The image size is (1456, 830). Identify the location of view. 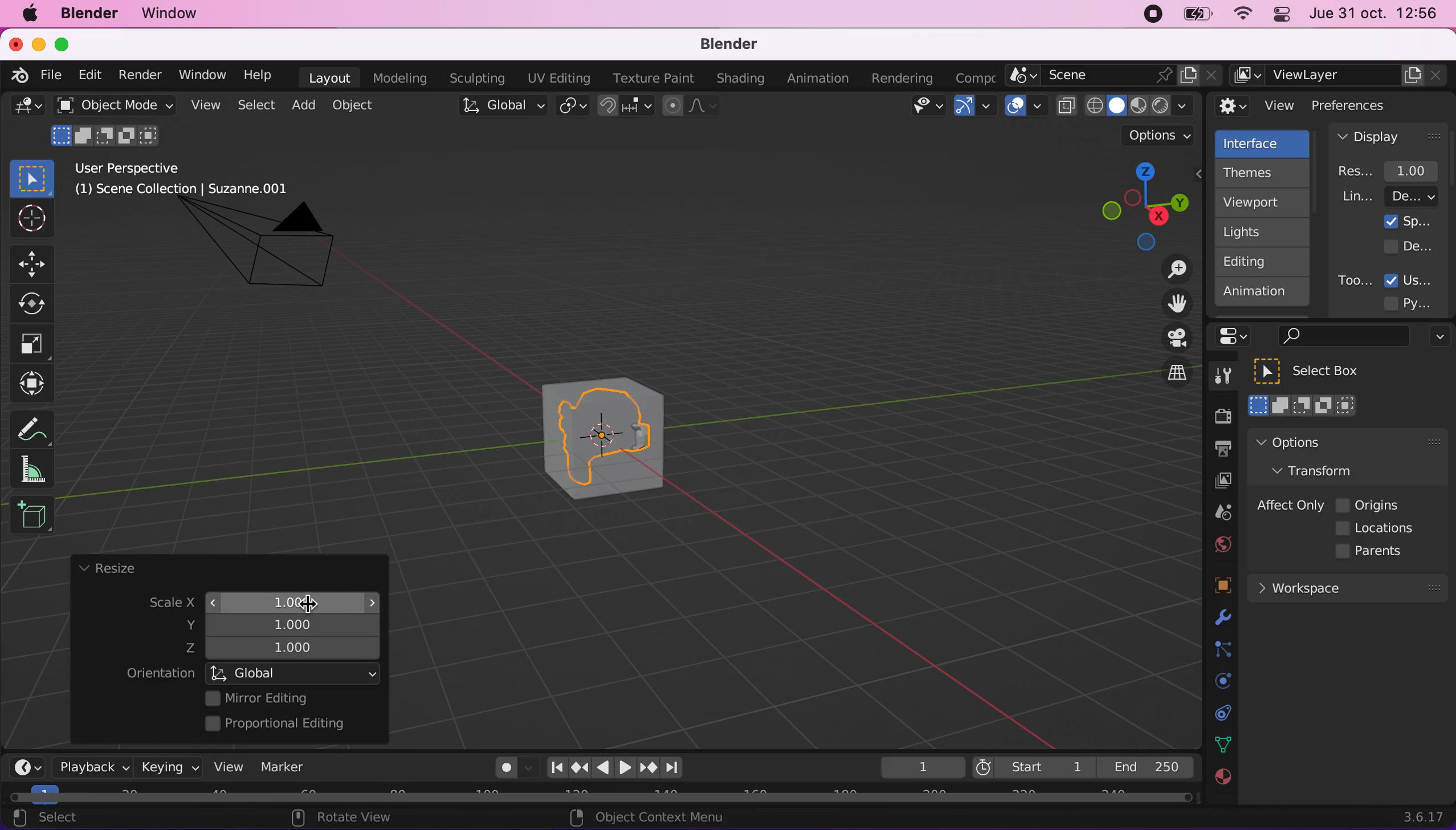
(203, 105).